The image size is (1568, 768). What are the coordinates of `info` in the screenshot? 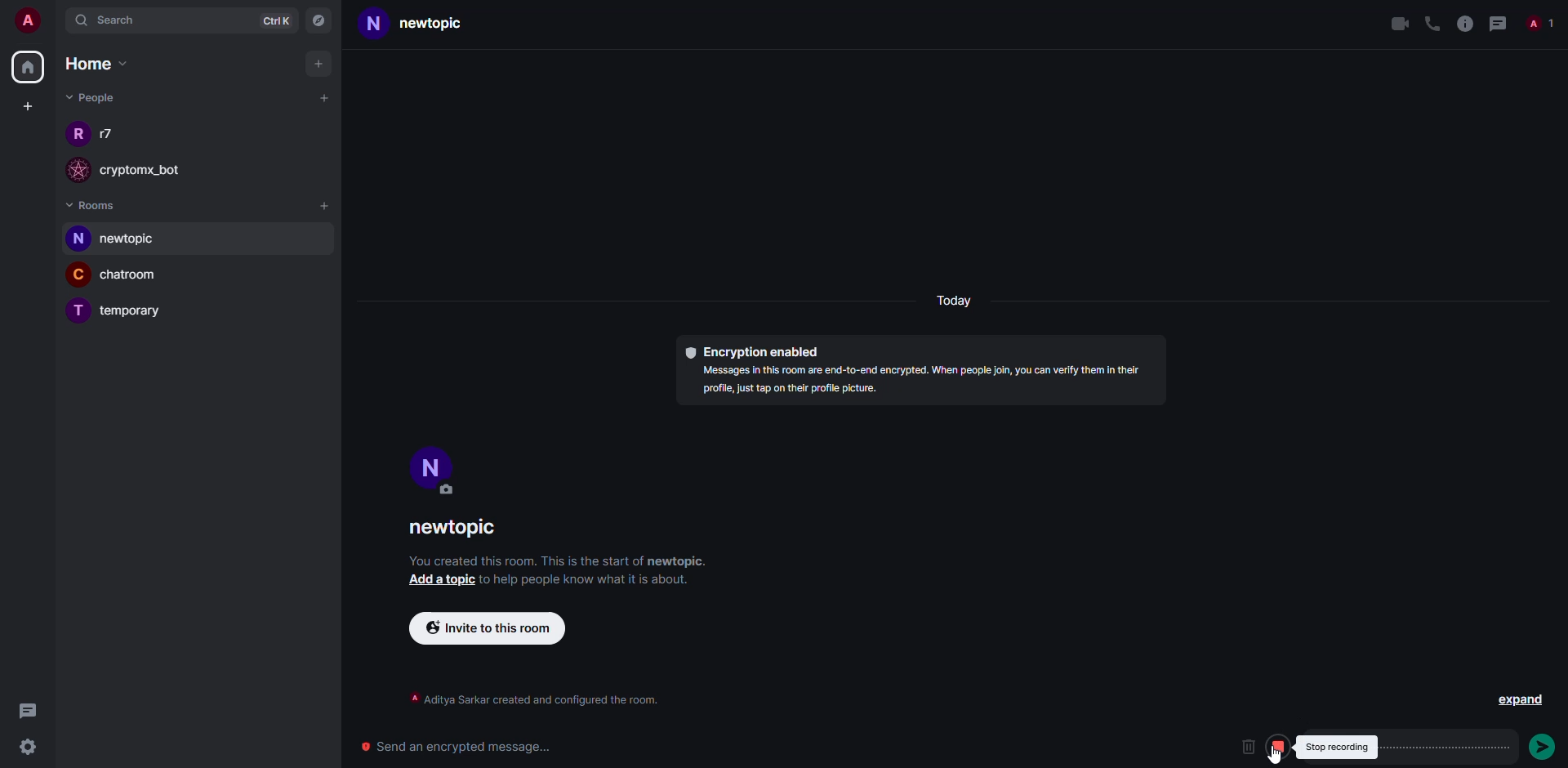 It's located at (925, 383).